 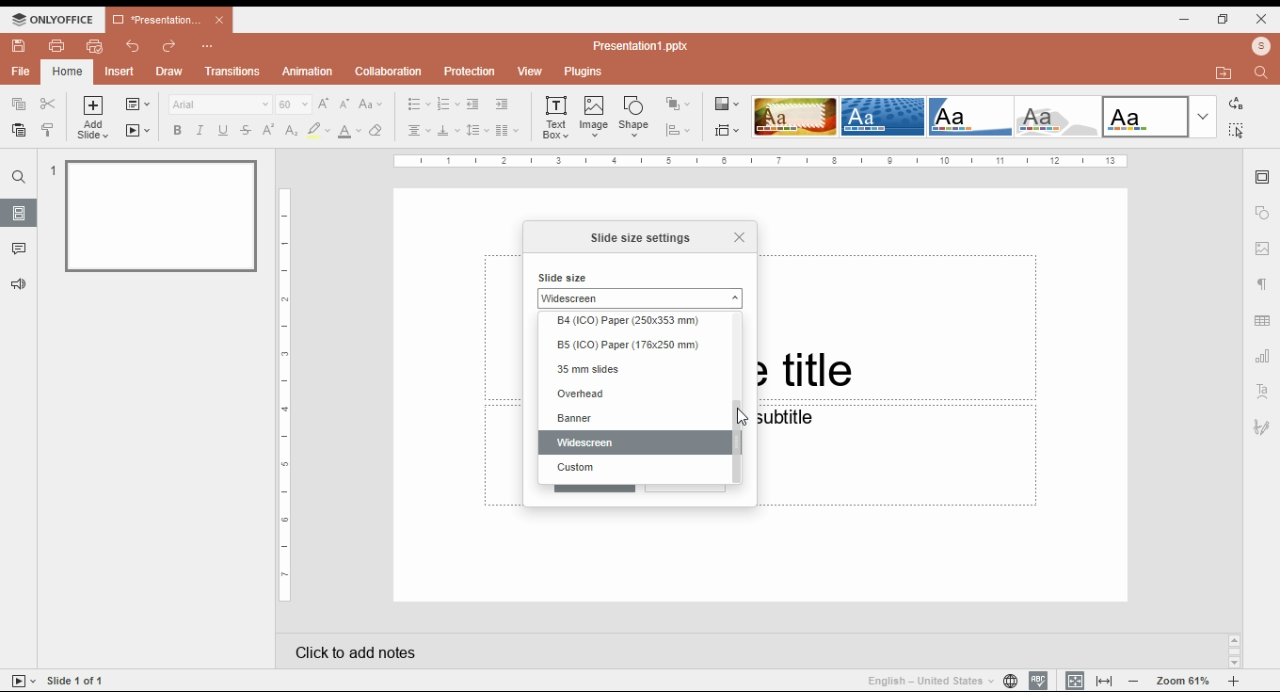 What do you see at coordinates (1264, 356) in the screenshot?
I see `chart settings` at bounding box center [1264, 356].